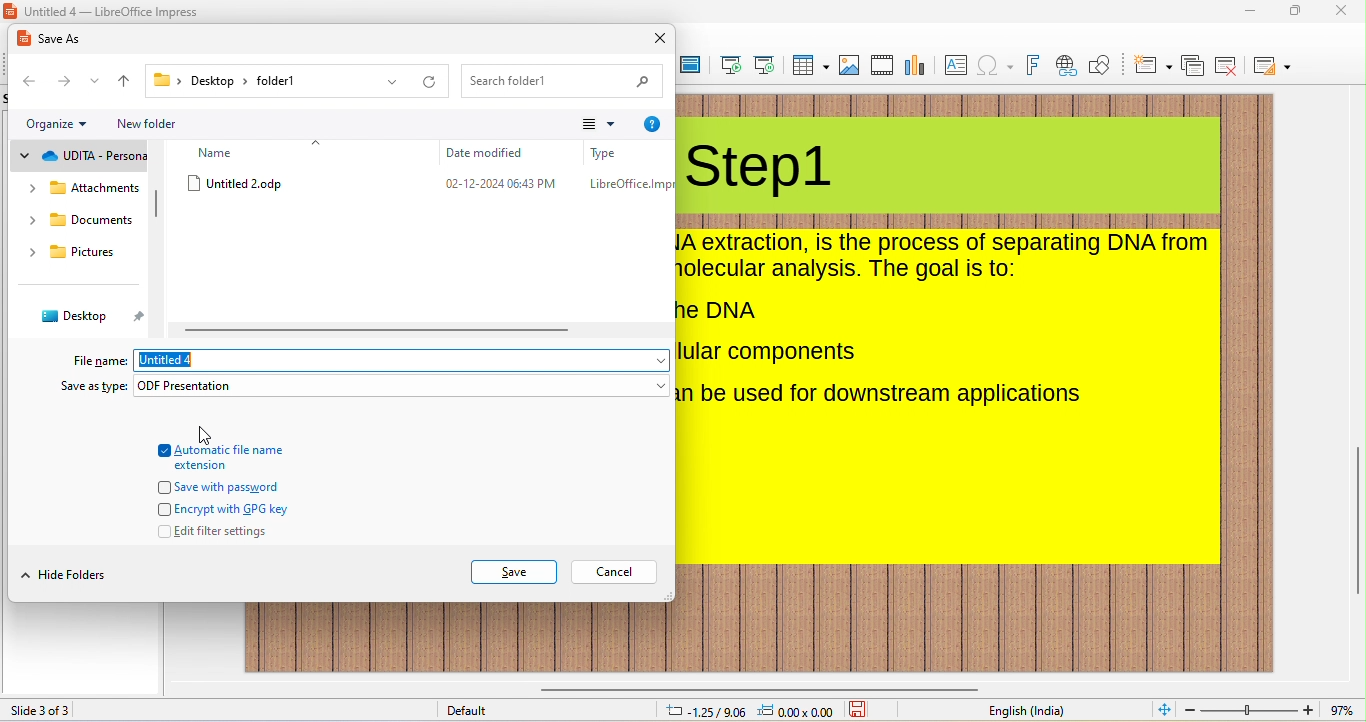 This screenshot has height=722, width=1366. What do you see at coordinates (97, 157) in the screenshot?
I see `udita personal` at bounding box center [97, 157].